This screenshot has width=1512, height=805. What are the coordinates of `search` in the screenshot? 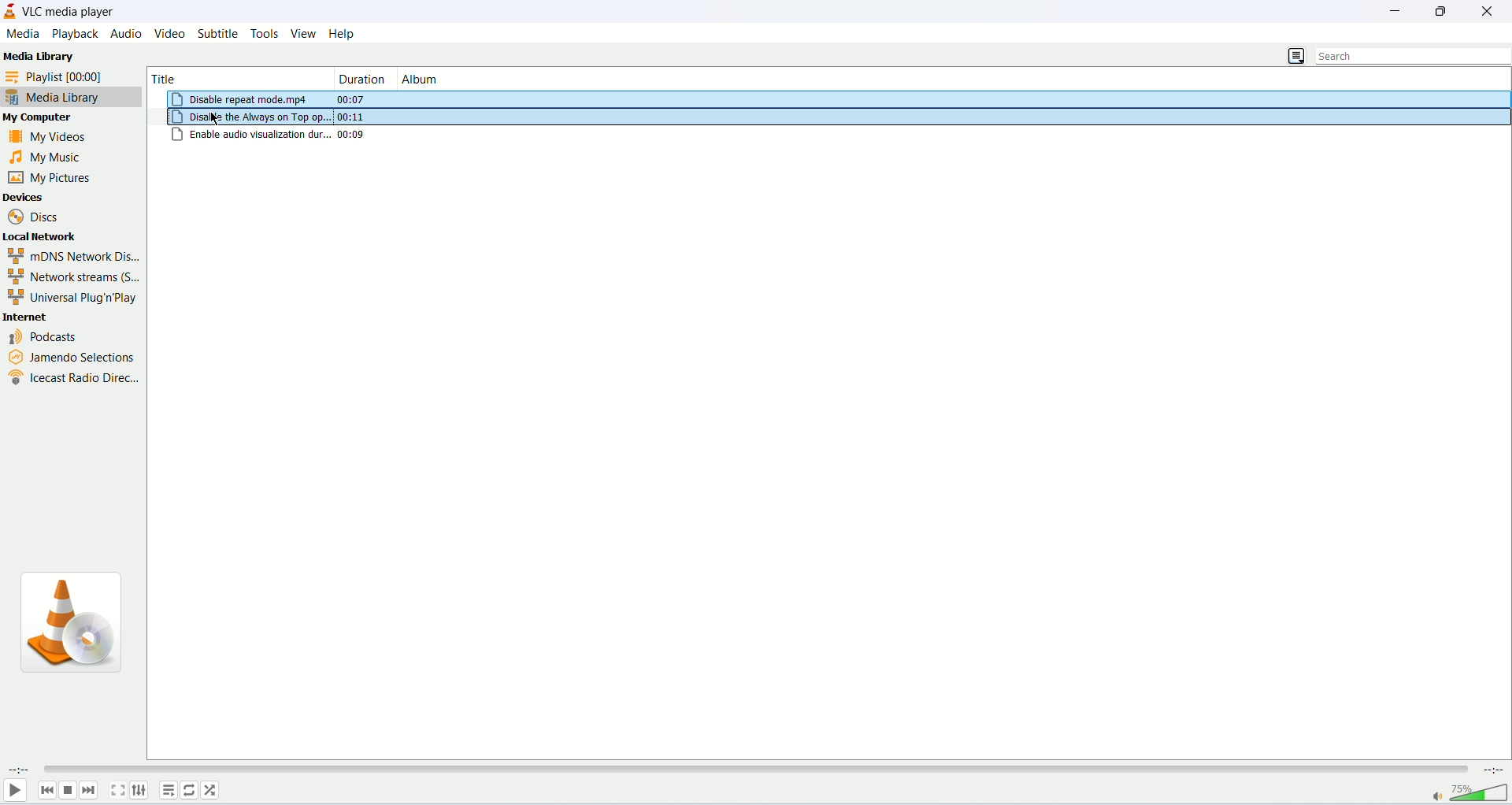 It's located at (1414, 56).